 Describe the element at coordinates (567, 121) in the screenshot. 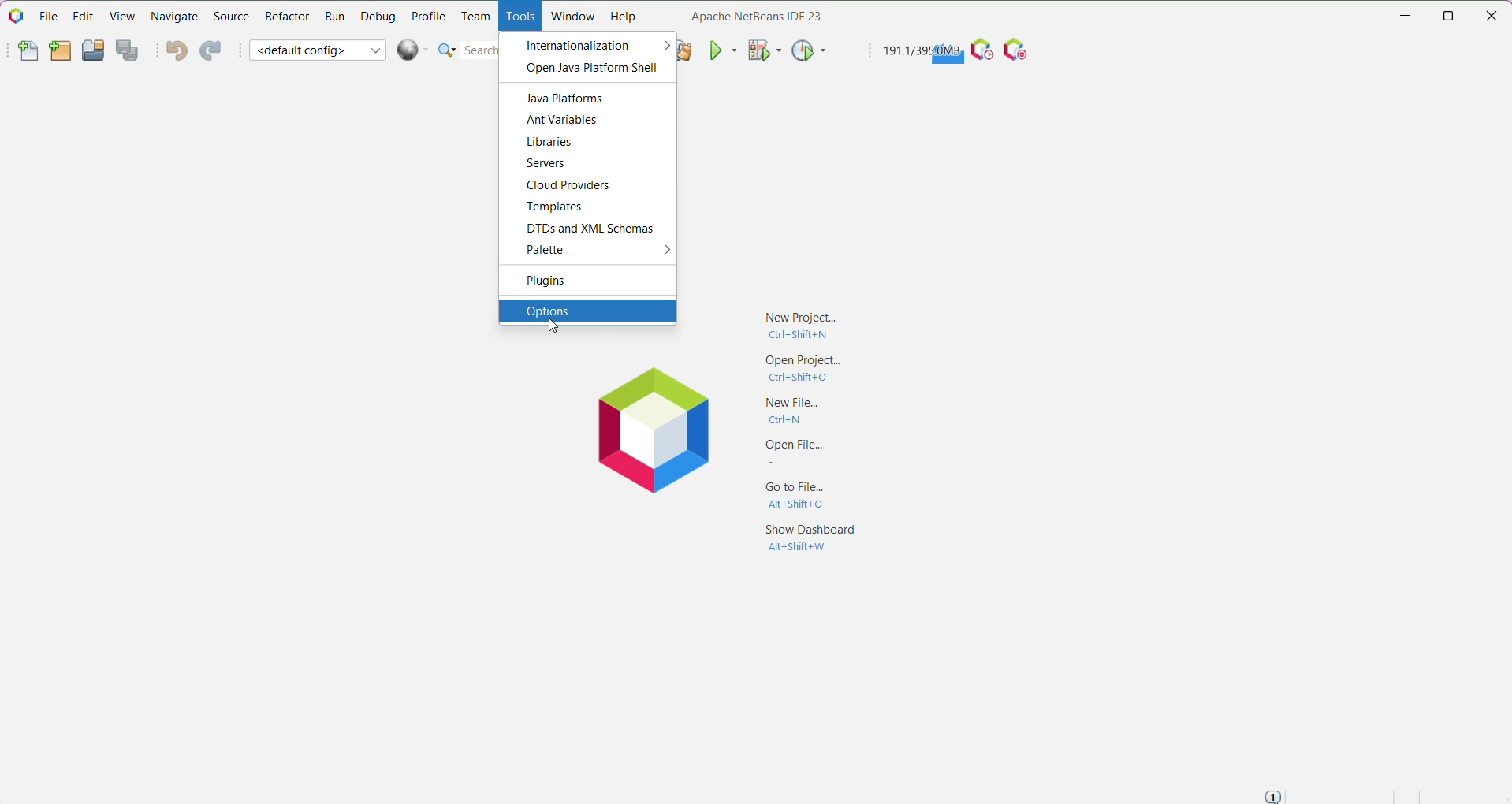

I see `Ant Variables` at that location.